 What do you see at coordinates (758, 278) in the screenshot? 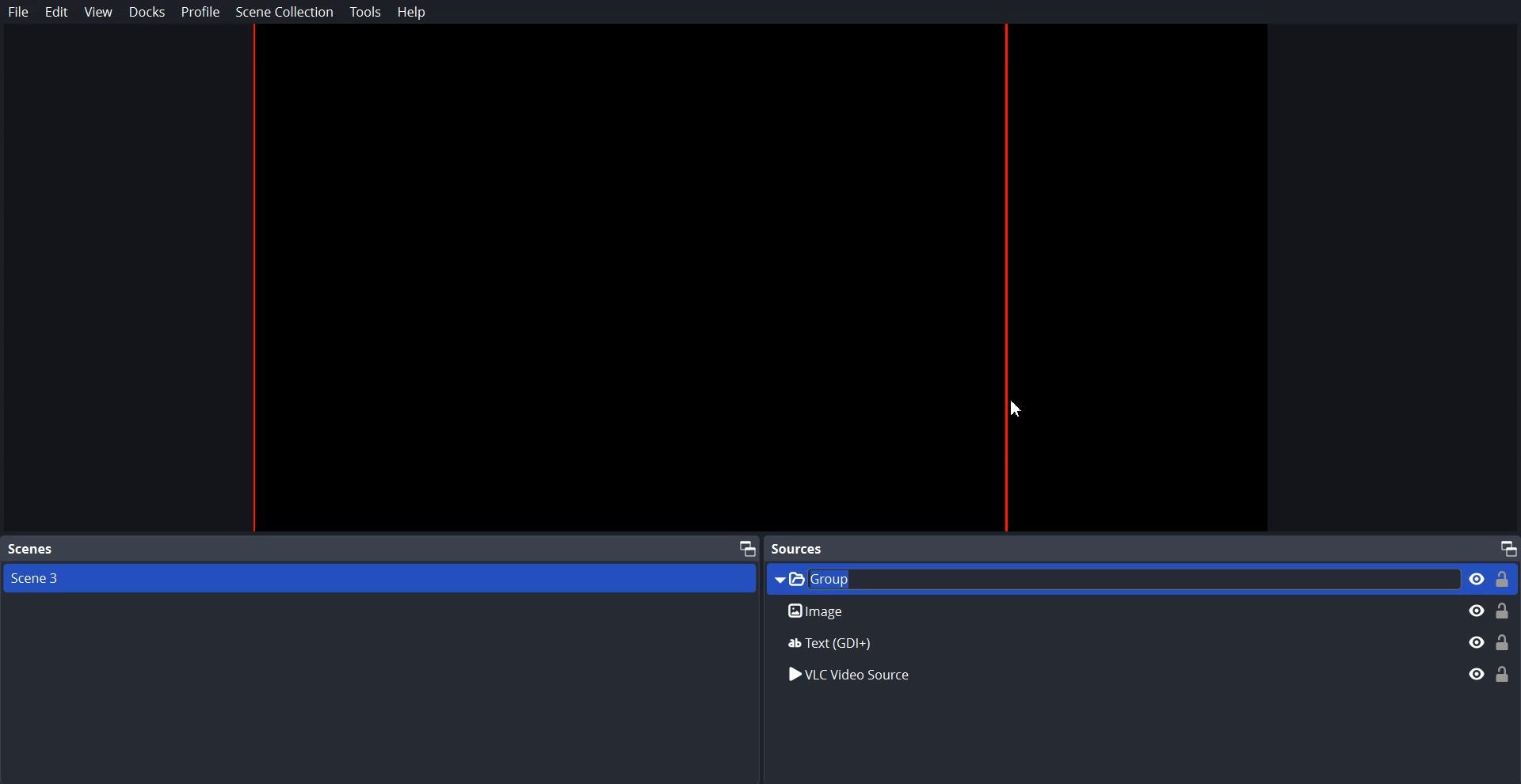
I see `Bounding box` at bounding box center [758, 278].